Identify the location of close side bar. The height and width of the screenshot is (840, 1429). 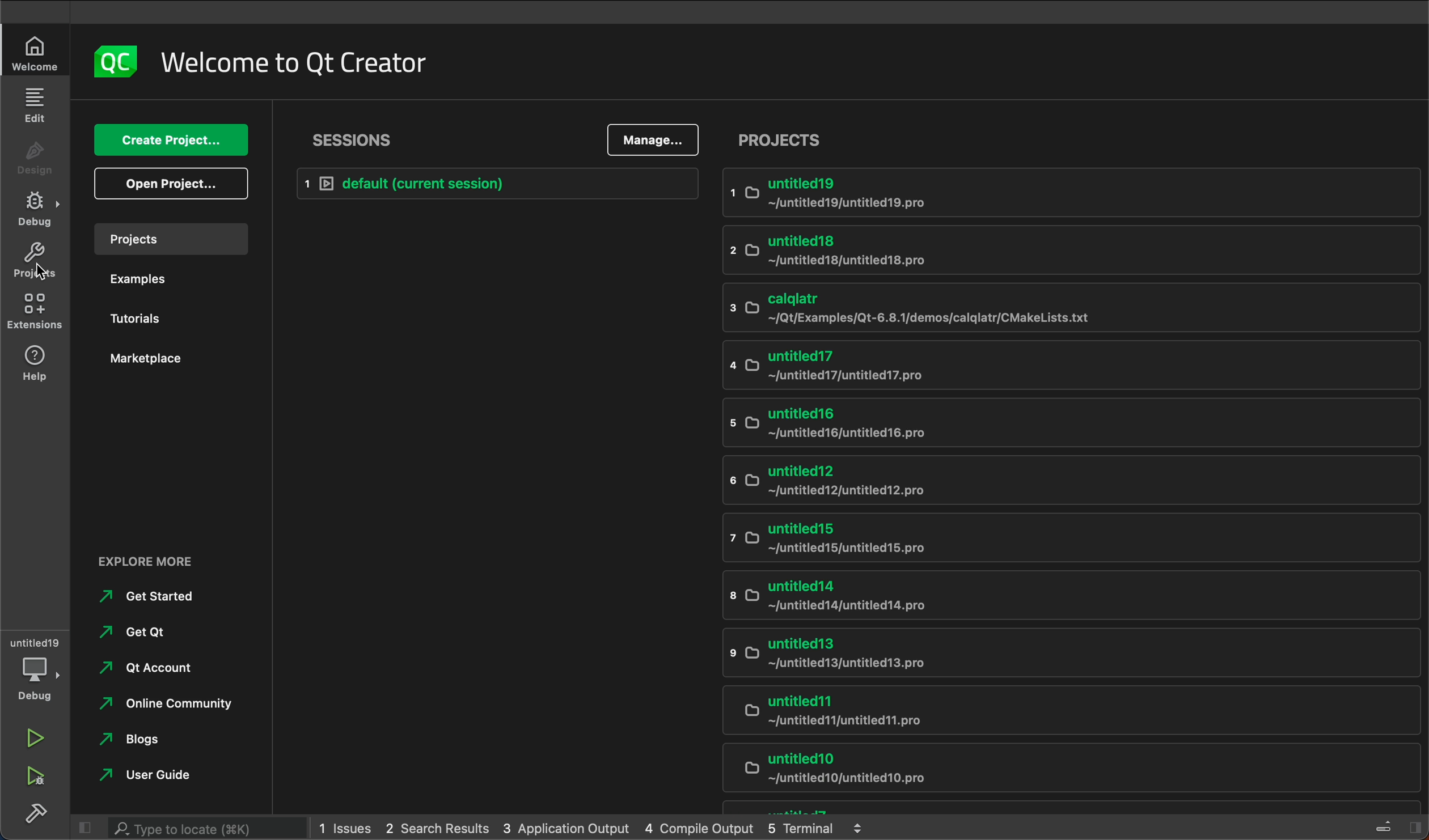
(86, 826).